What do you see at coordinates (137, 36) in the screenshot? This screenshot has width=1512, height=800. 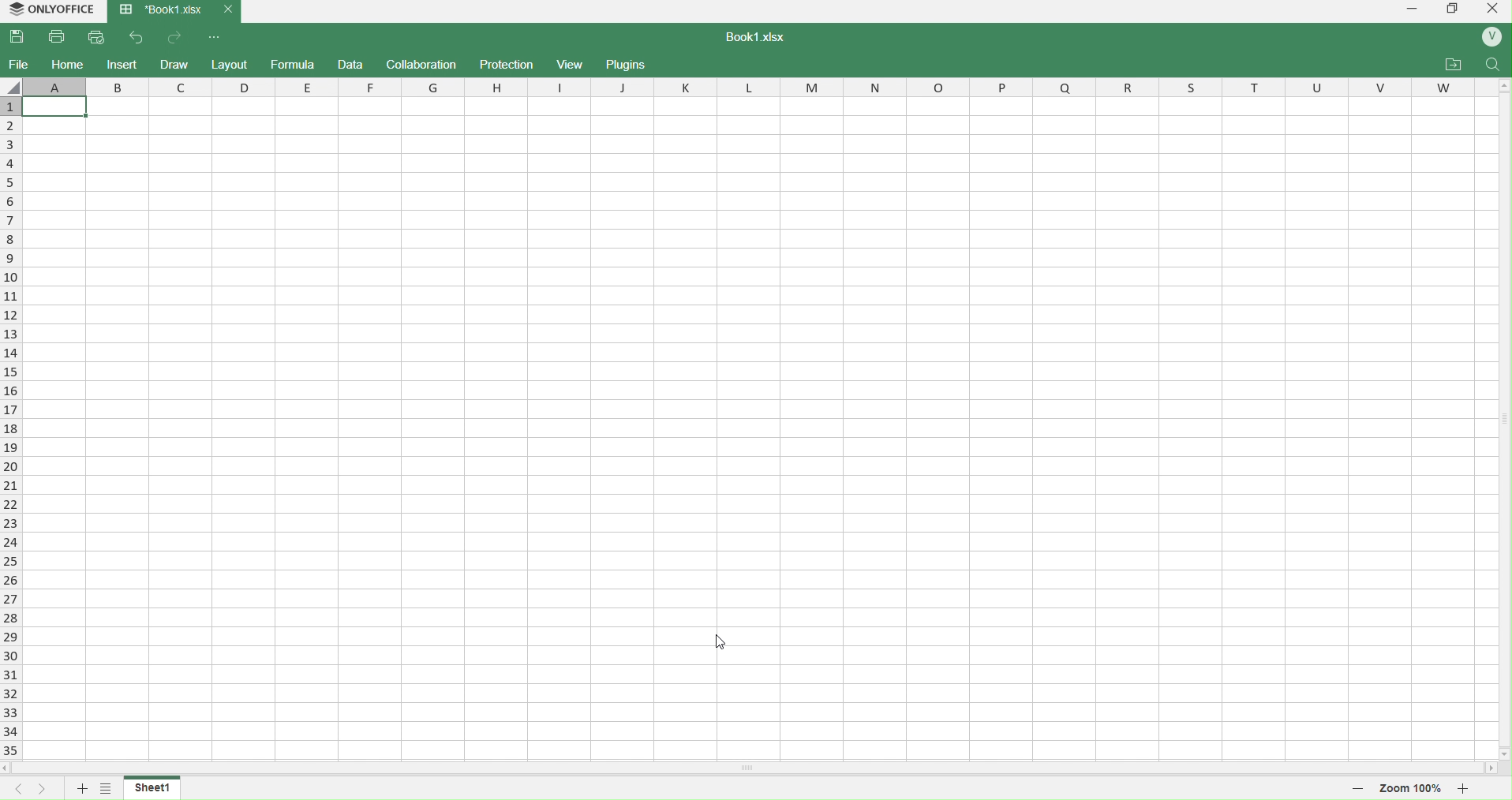 I see `back` at bounding box center [137, 36].